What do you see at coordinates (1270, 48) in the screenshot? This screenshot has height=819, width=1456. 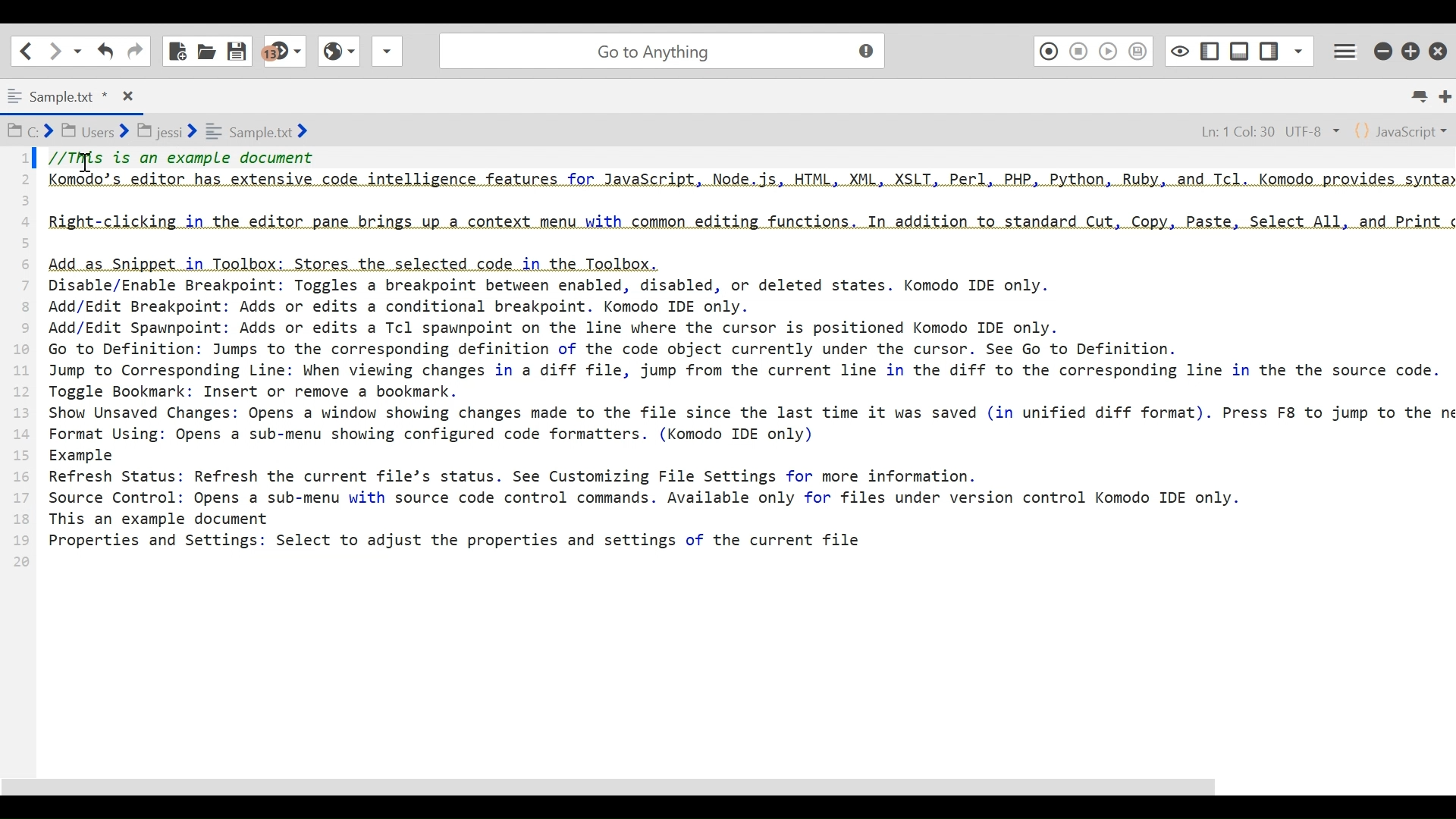 I see `Show/Hide Left Panel` at bounding box center [1270, 48].